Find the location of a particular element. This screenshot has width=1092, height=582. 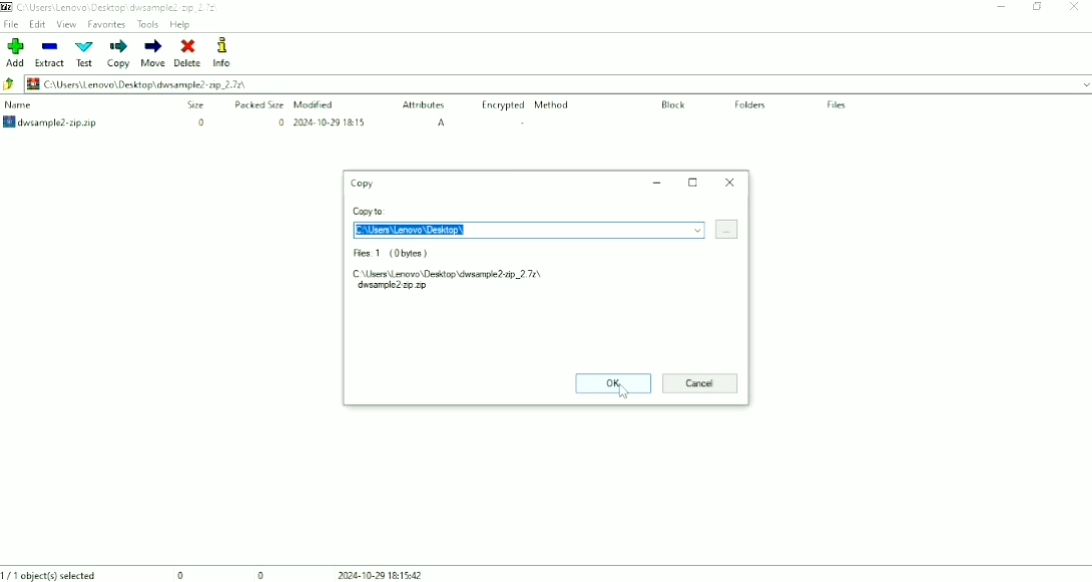

1/1 object(s) selected is located at coordinates (51, 574).